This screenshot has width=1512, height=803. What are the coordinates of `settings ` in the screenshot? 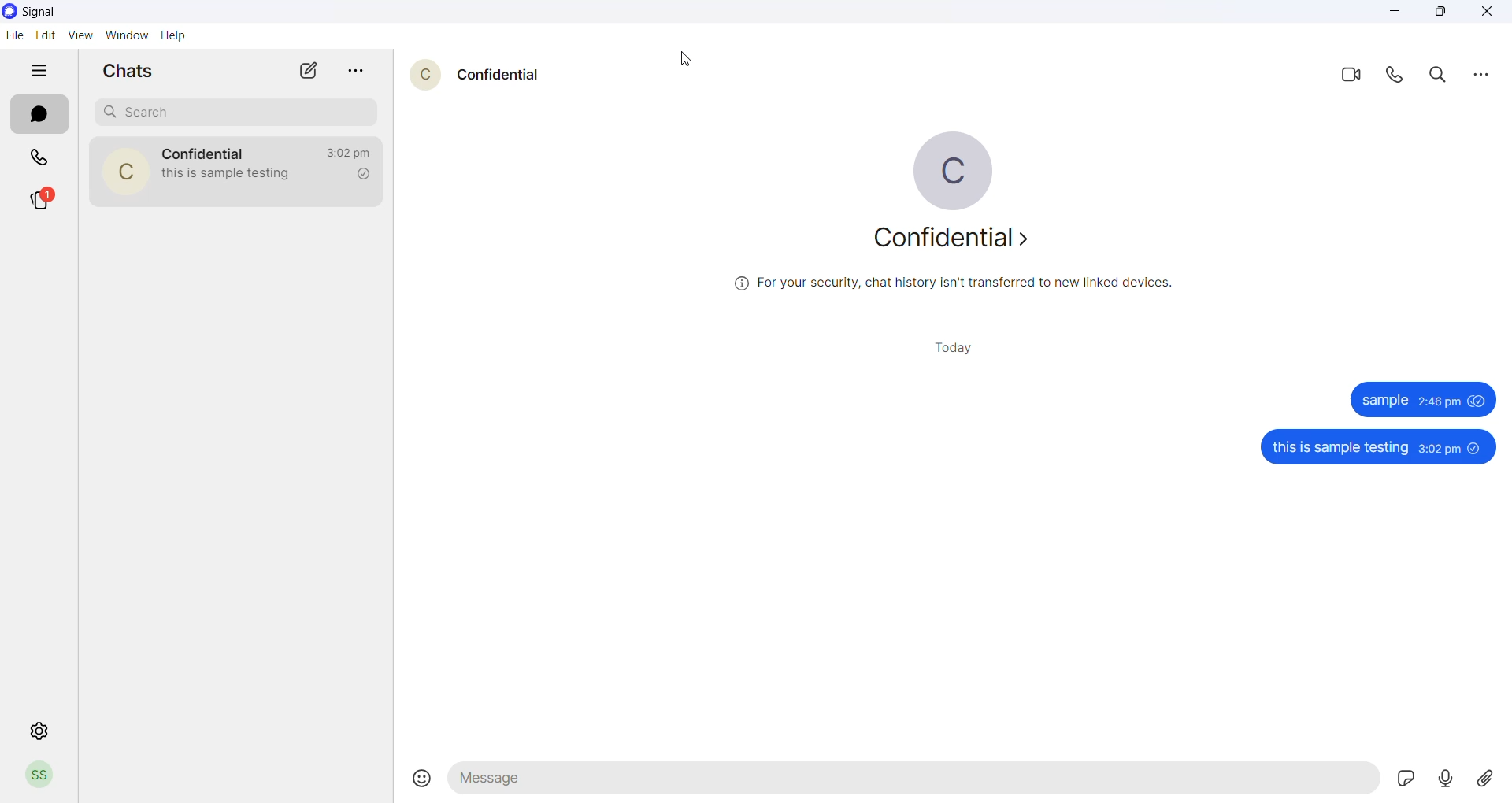 It's located at (40, 730).